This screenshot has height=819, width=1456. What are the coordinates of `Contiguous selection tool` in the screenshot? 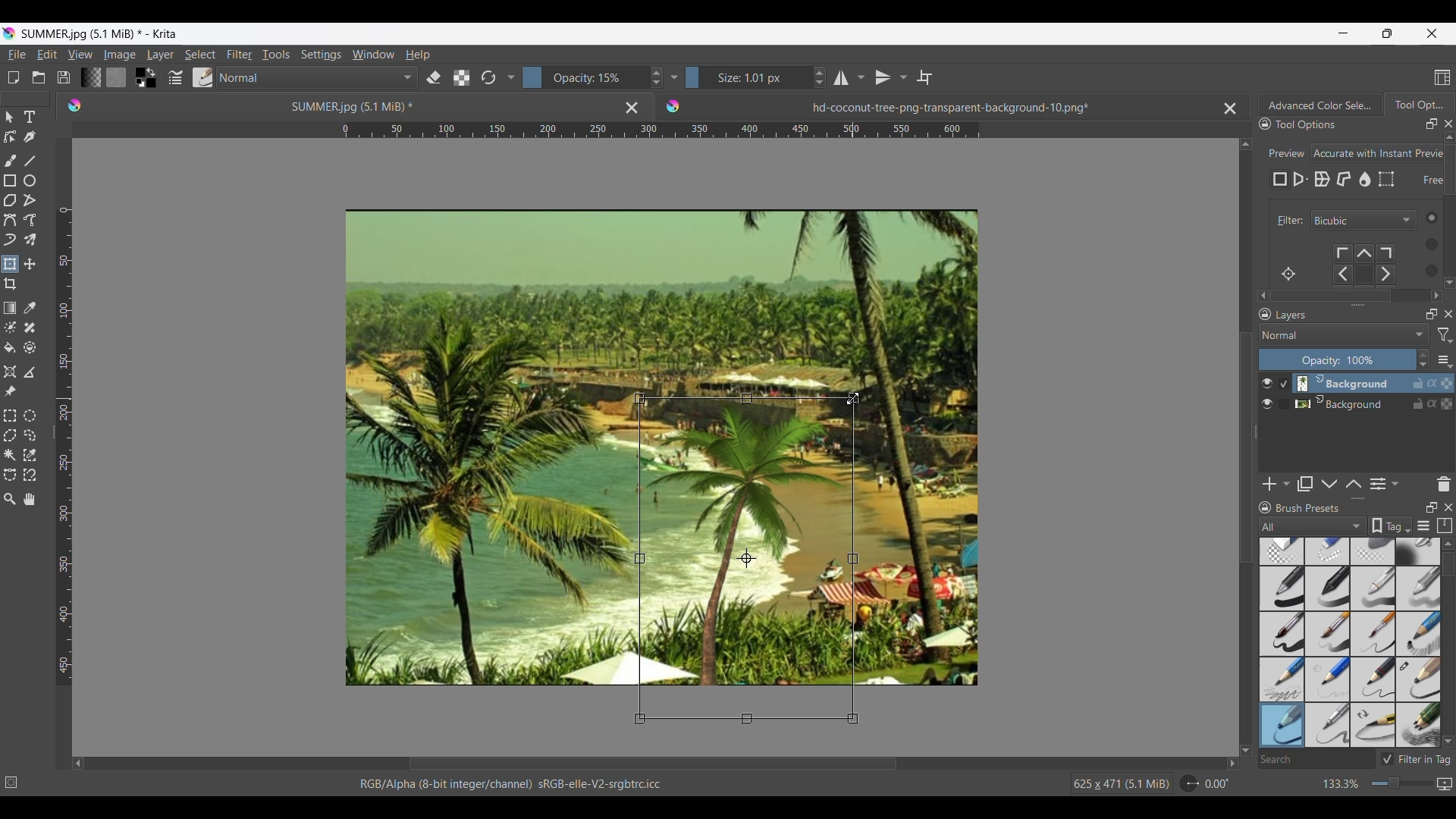 It's located at (10, 455).